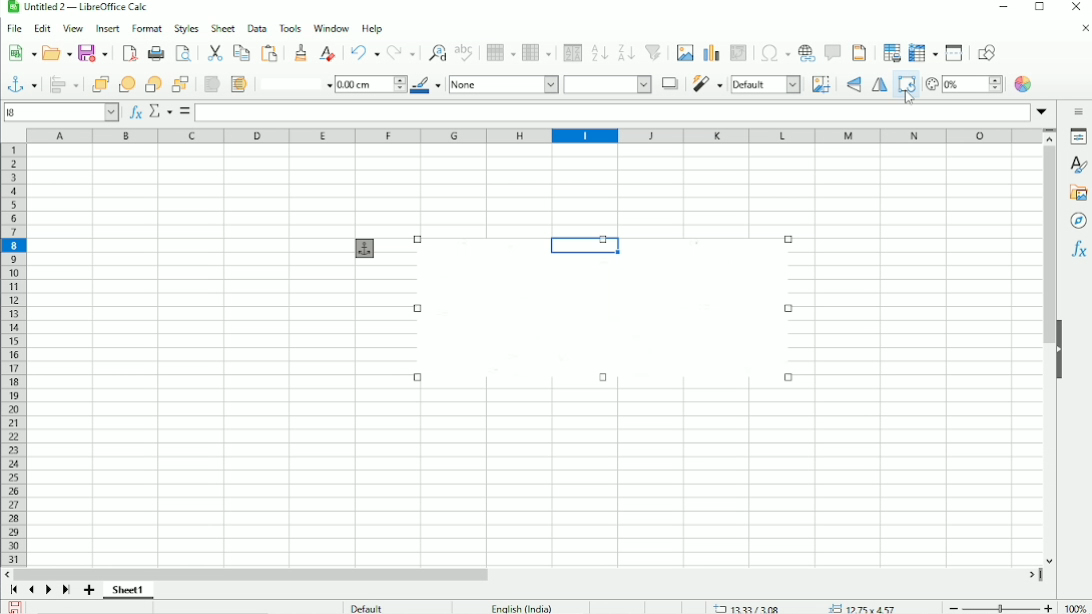 Image resolution: width=1092 pixels, height=614 pixels. I want to click on Insert chart, so click(711, 53).